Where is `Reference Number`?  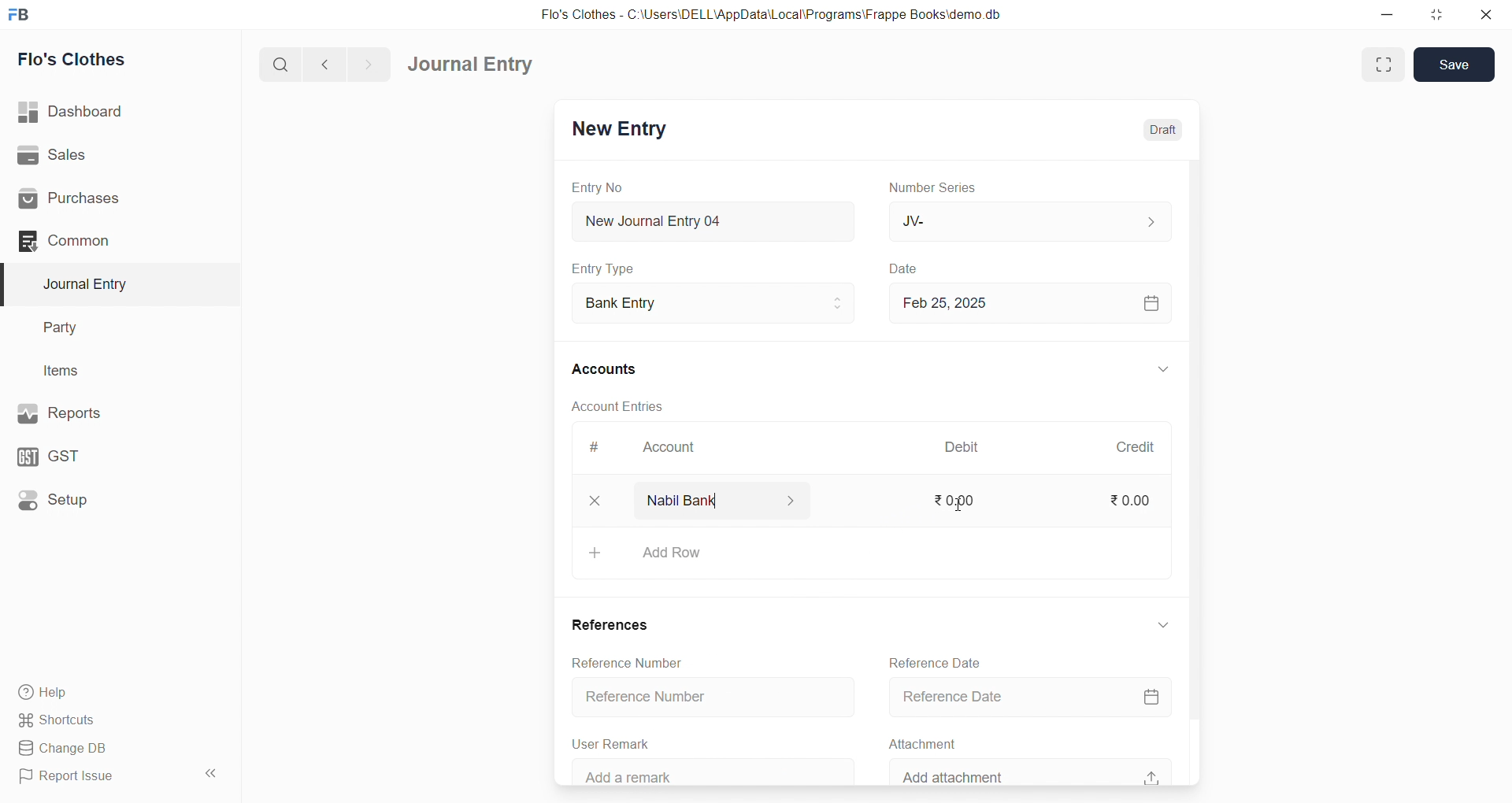
Reference Number is located at coordinates (700, 697).